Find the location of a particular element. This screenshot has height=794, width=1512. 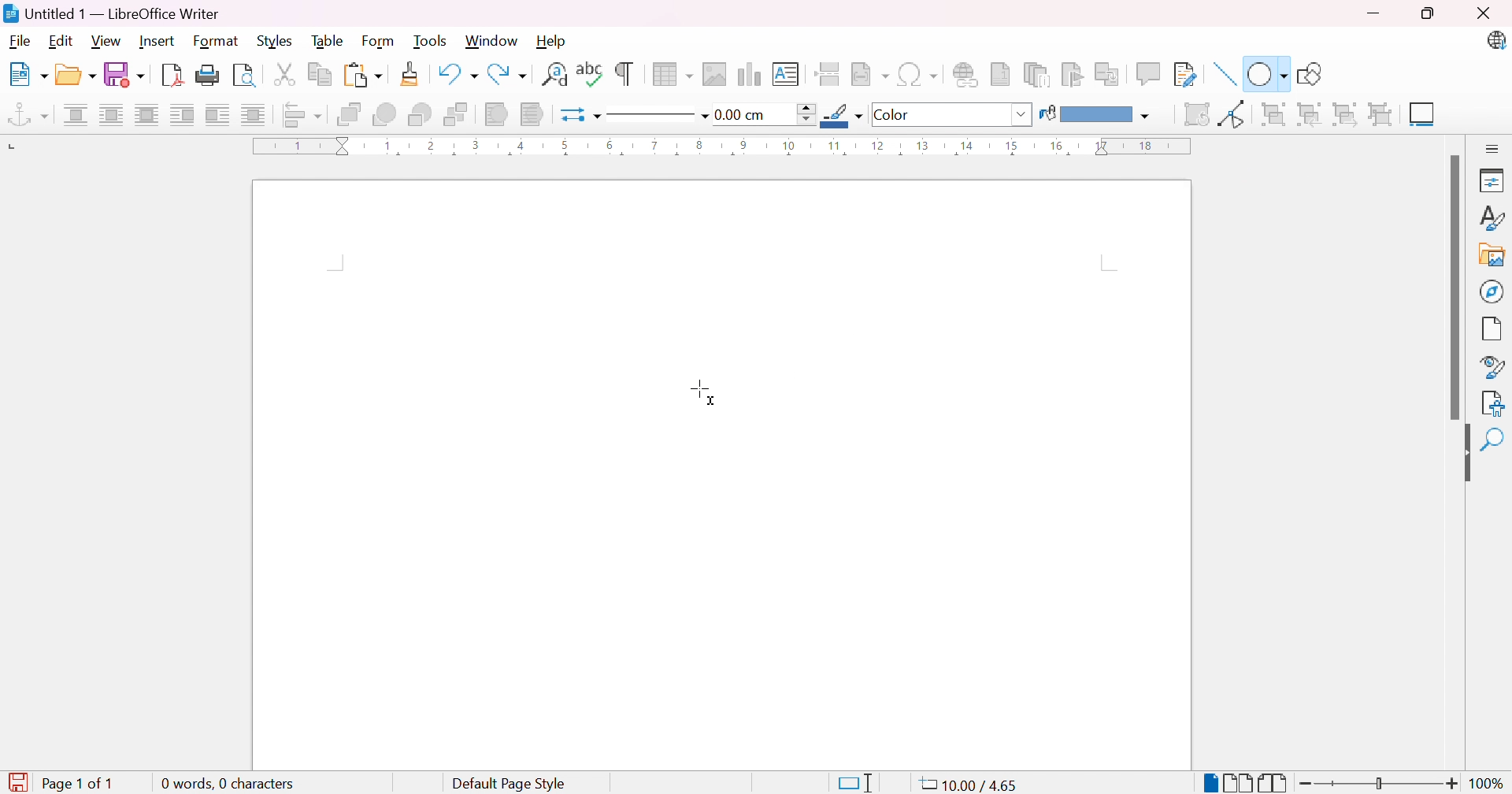

Toggle print preview is located at coordinates (246, 76).